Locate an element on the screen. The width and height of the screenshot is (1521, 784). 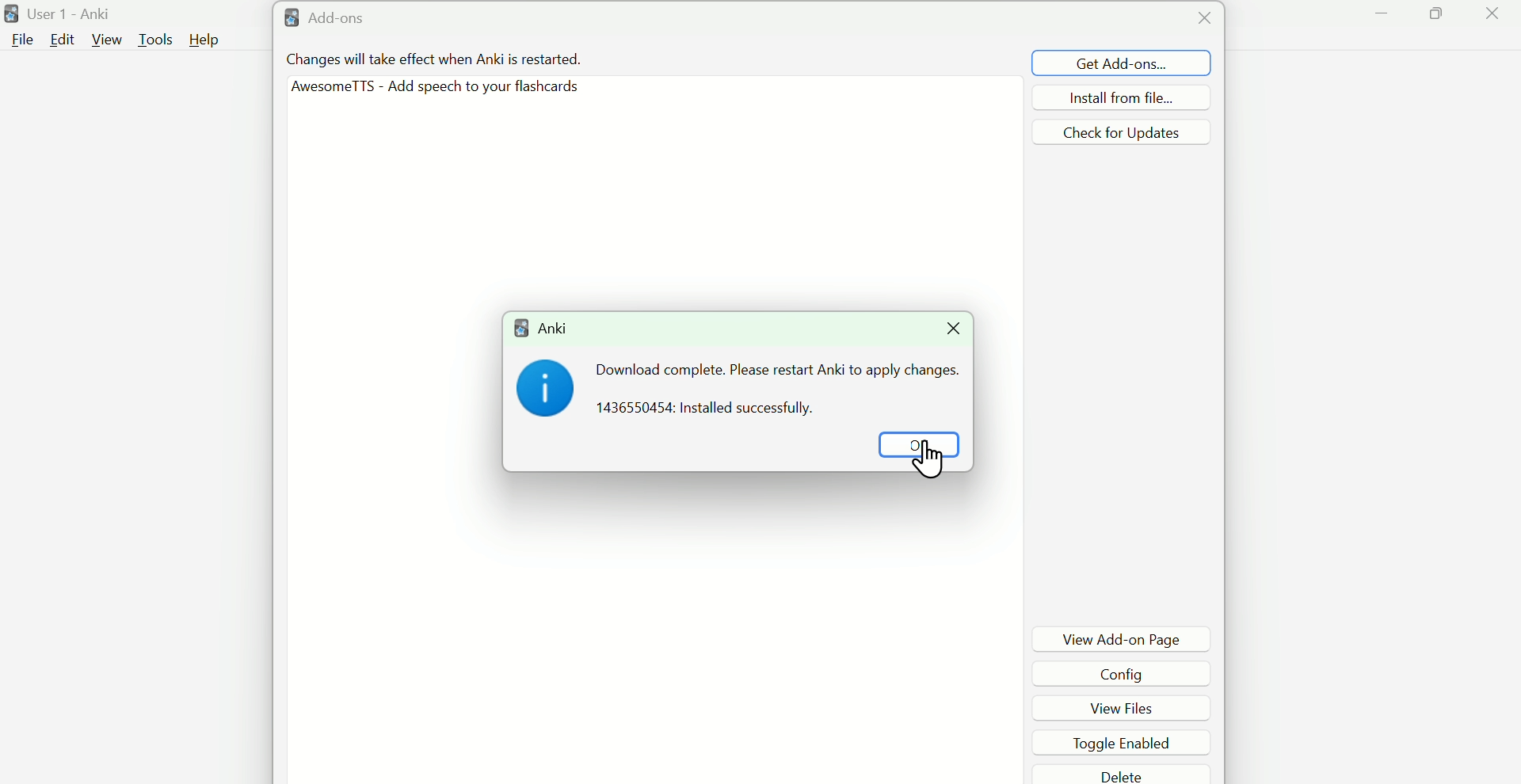
OK is located at coordinates (922, 443).